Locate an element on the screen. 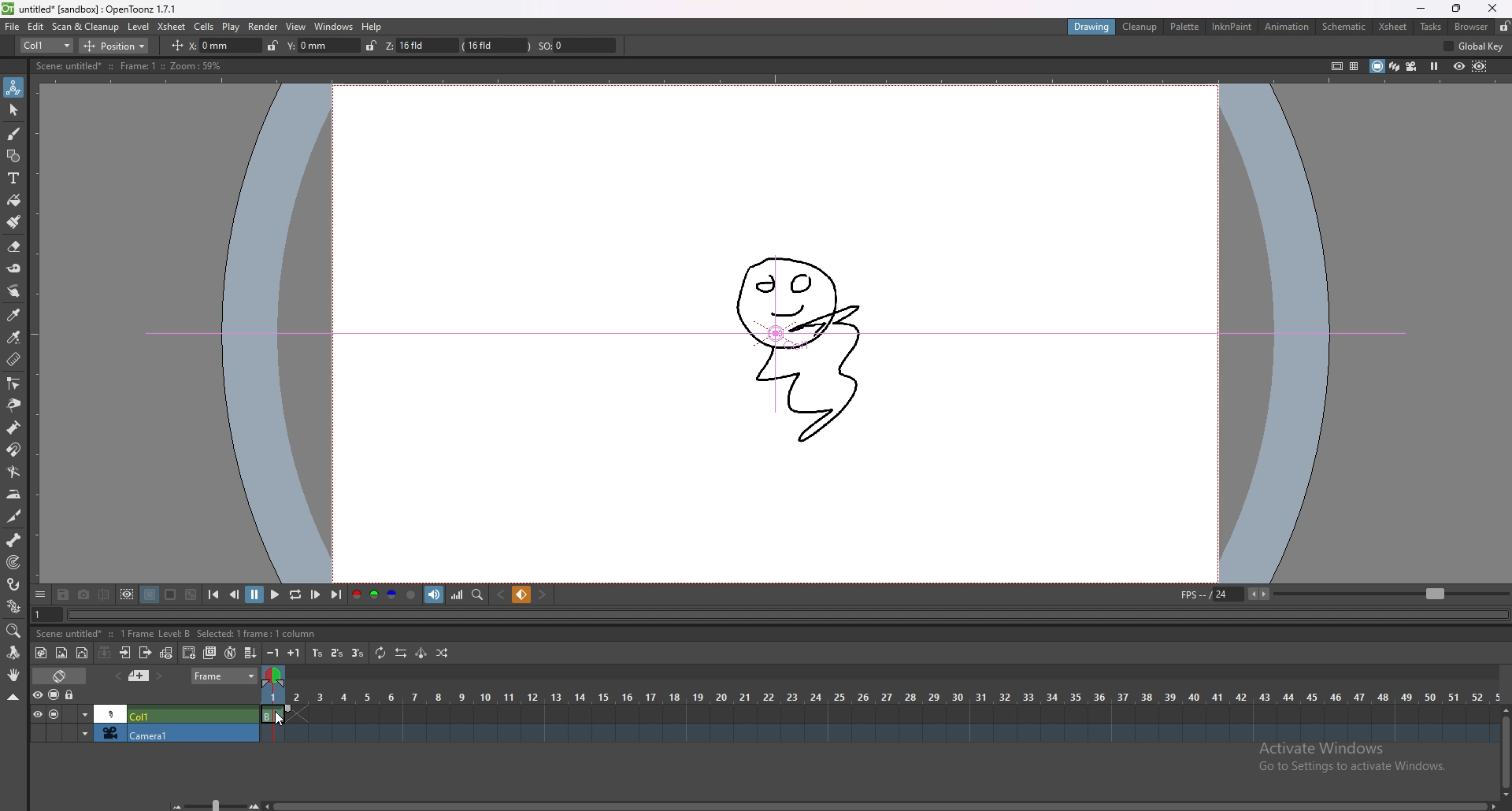 This screenshot has height=811, width=1512. alpha channel is located at coordinates (411, 594).